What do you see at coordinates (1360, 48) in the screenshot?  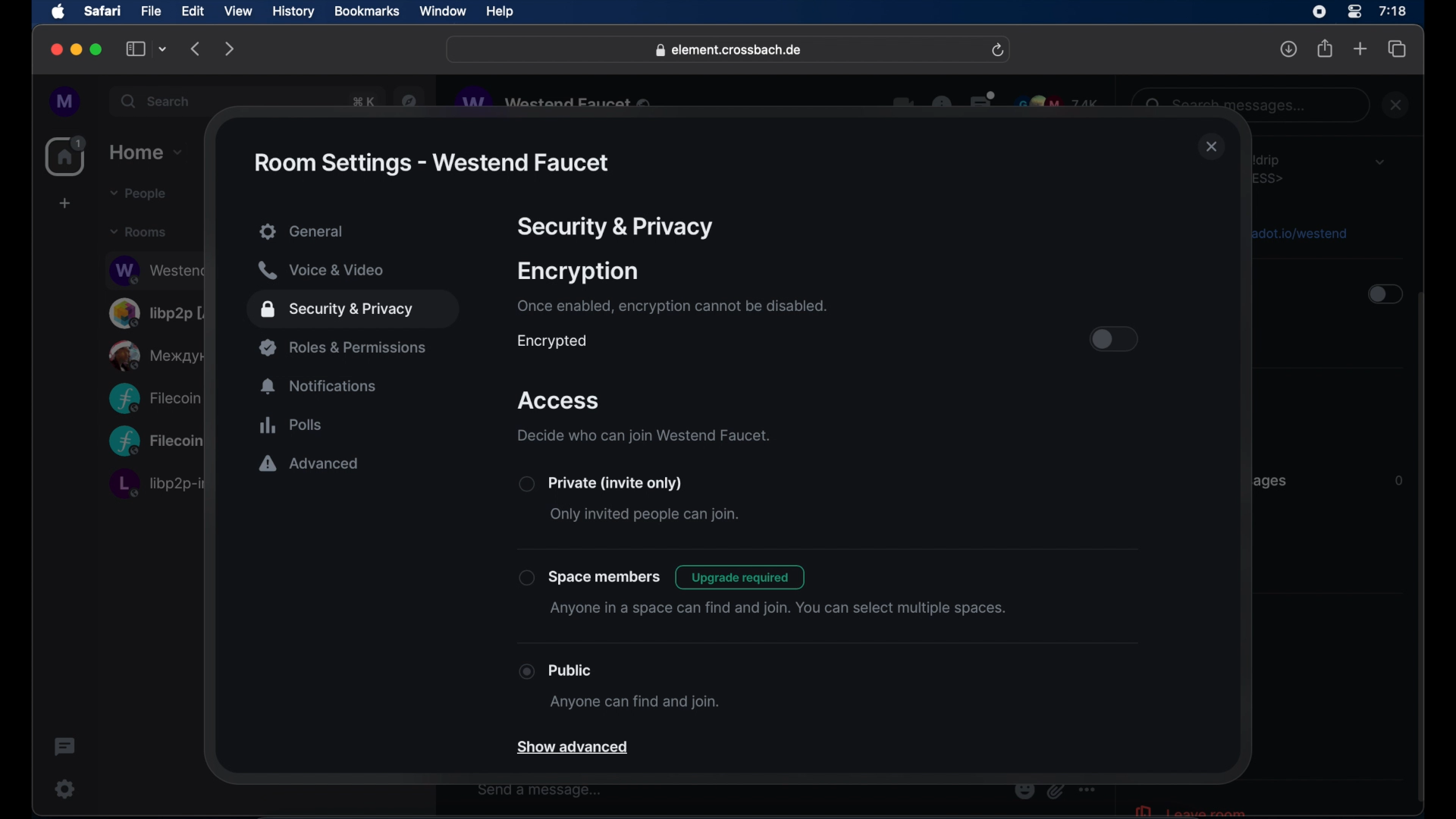 I see `new tab` at bounding box center [1360, 48].